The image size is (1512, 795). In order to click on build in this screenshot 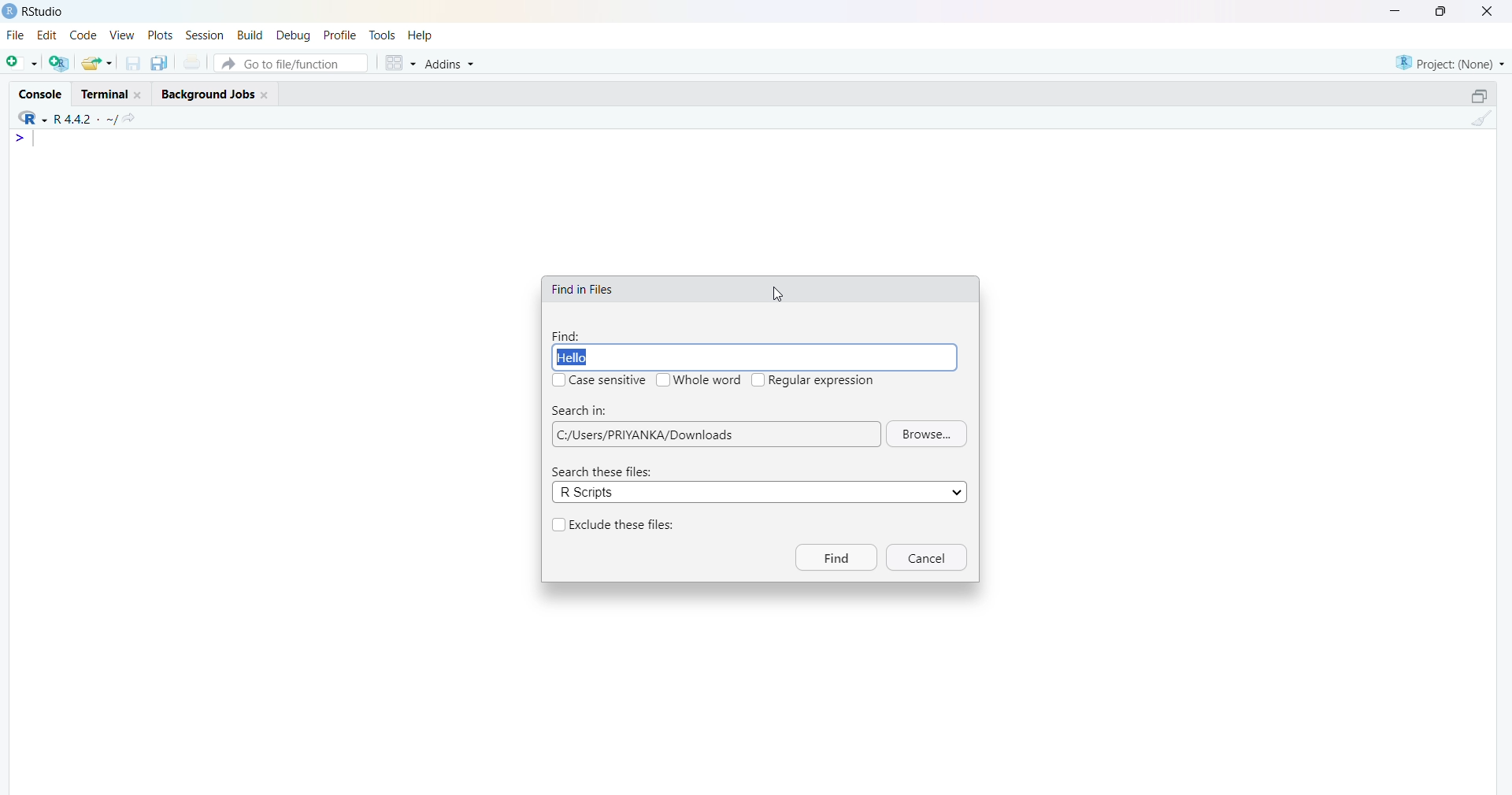, I will do `click(252, 35)`.